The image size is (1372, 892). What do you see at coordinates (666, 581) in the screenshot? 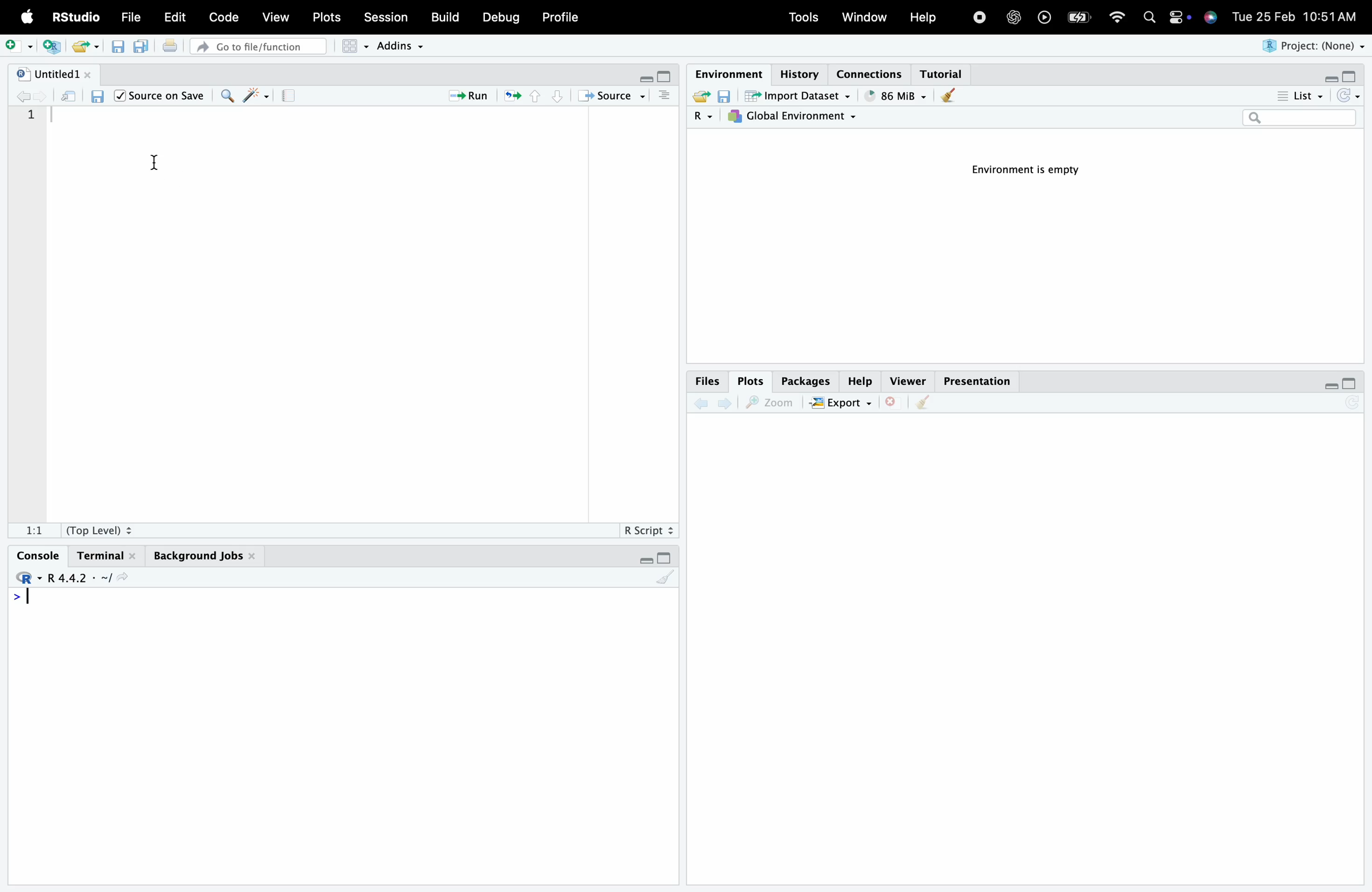
I see `clear` at bounding box center [666, 581].